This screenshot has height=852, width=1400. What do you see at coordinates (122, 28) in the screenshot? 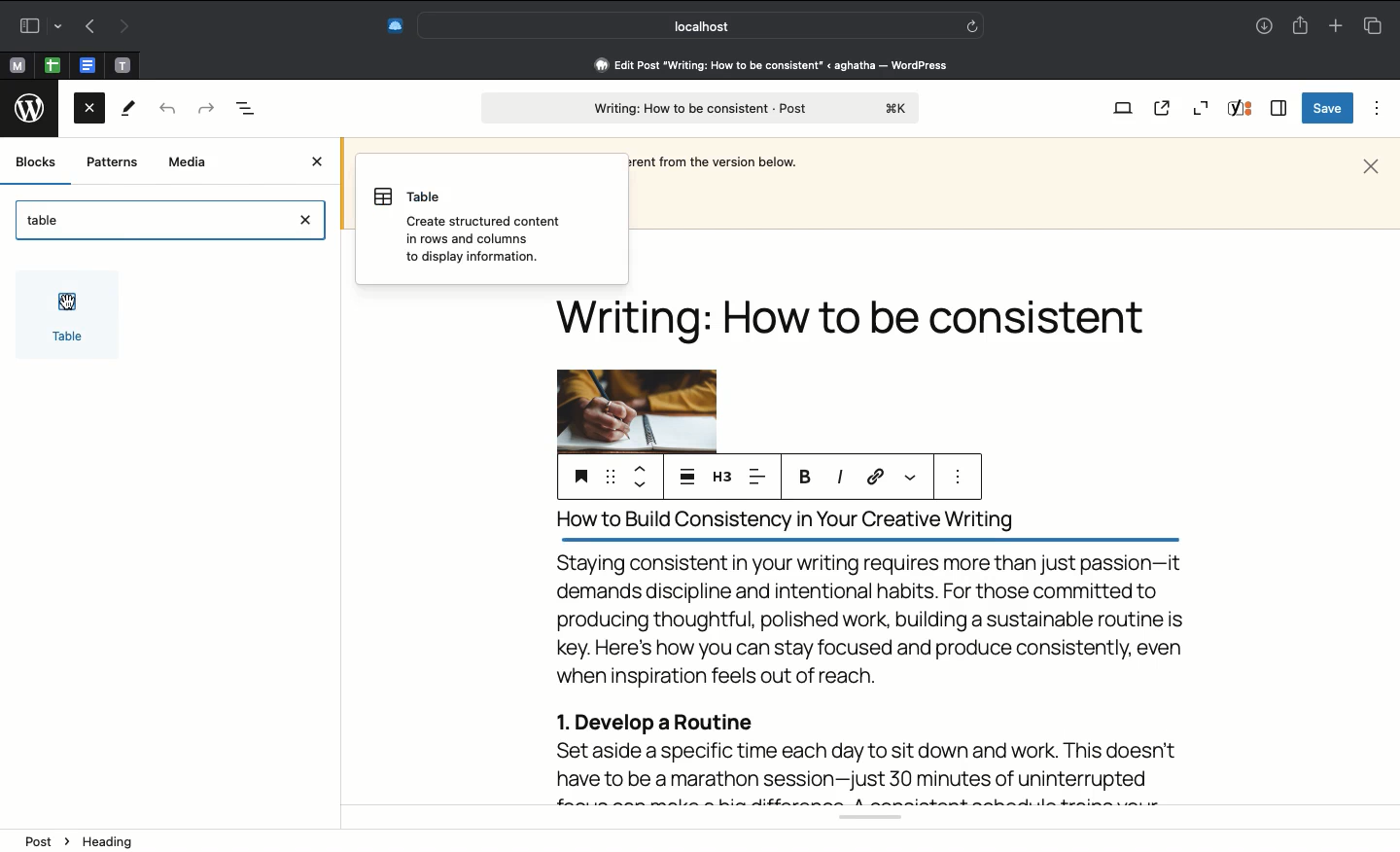
I see `Next page` at bounding box center [122, 28].